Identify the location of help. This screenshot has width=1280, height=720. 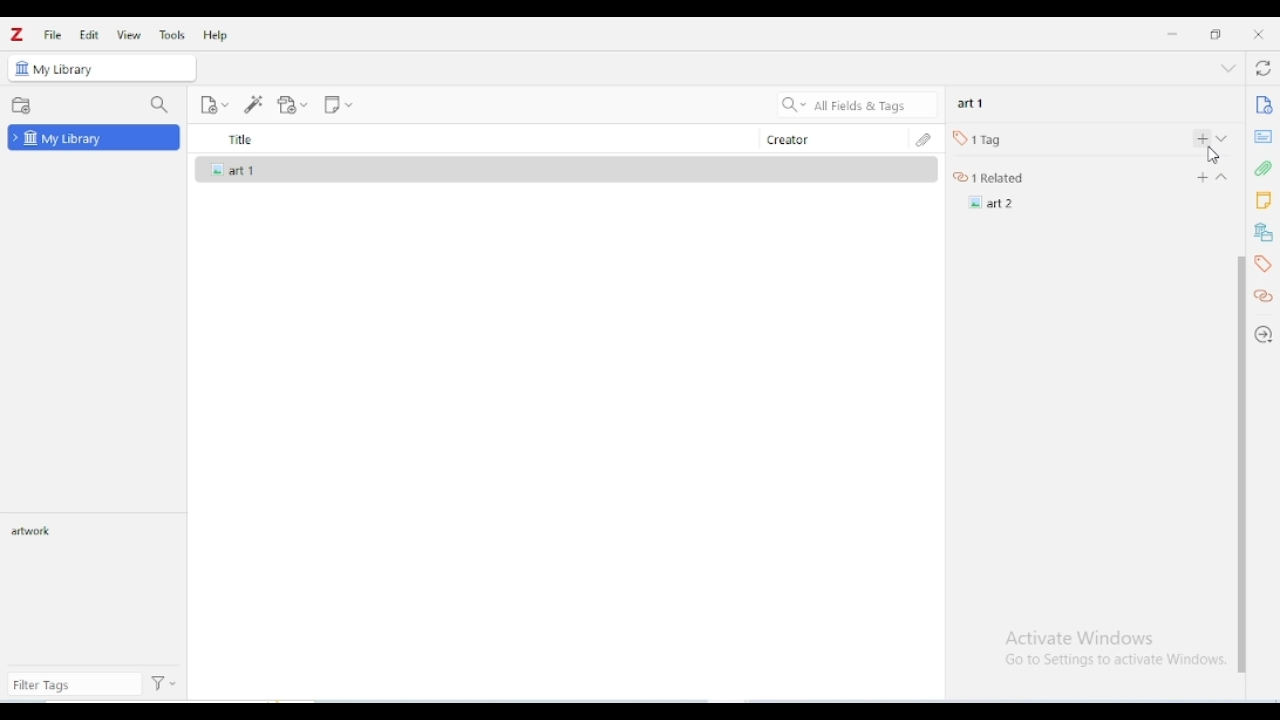
(216, 35).